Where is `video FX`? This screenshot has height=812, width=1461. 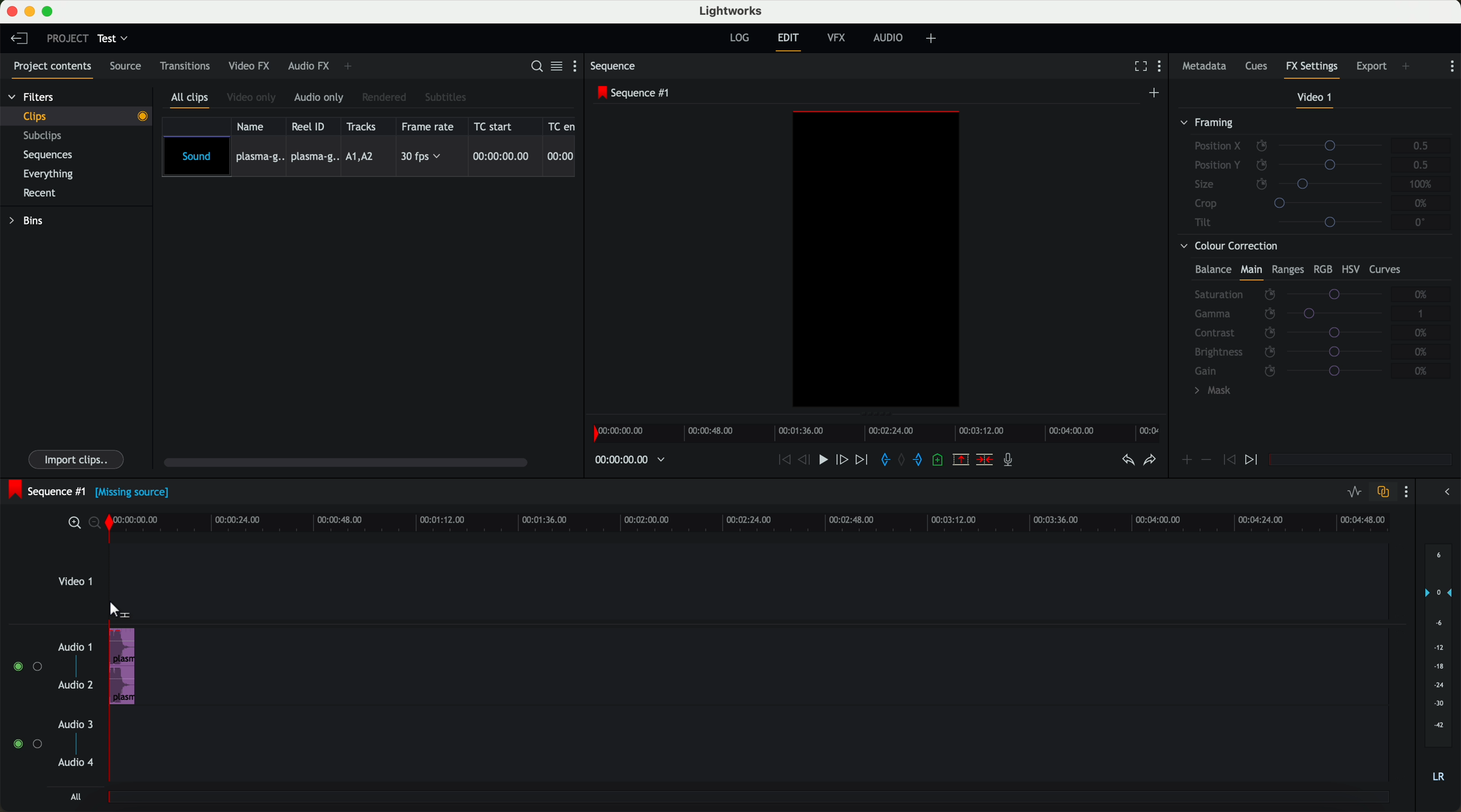 video FX is located at coordinates (248, 67).